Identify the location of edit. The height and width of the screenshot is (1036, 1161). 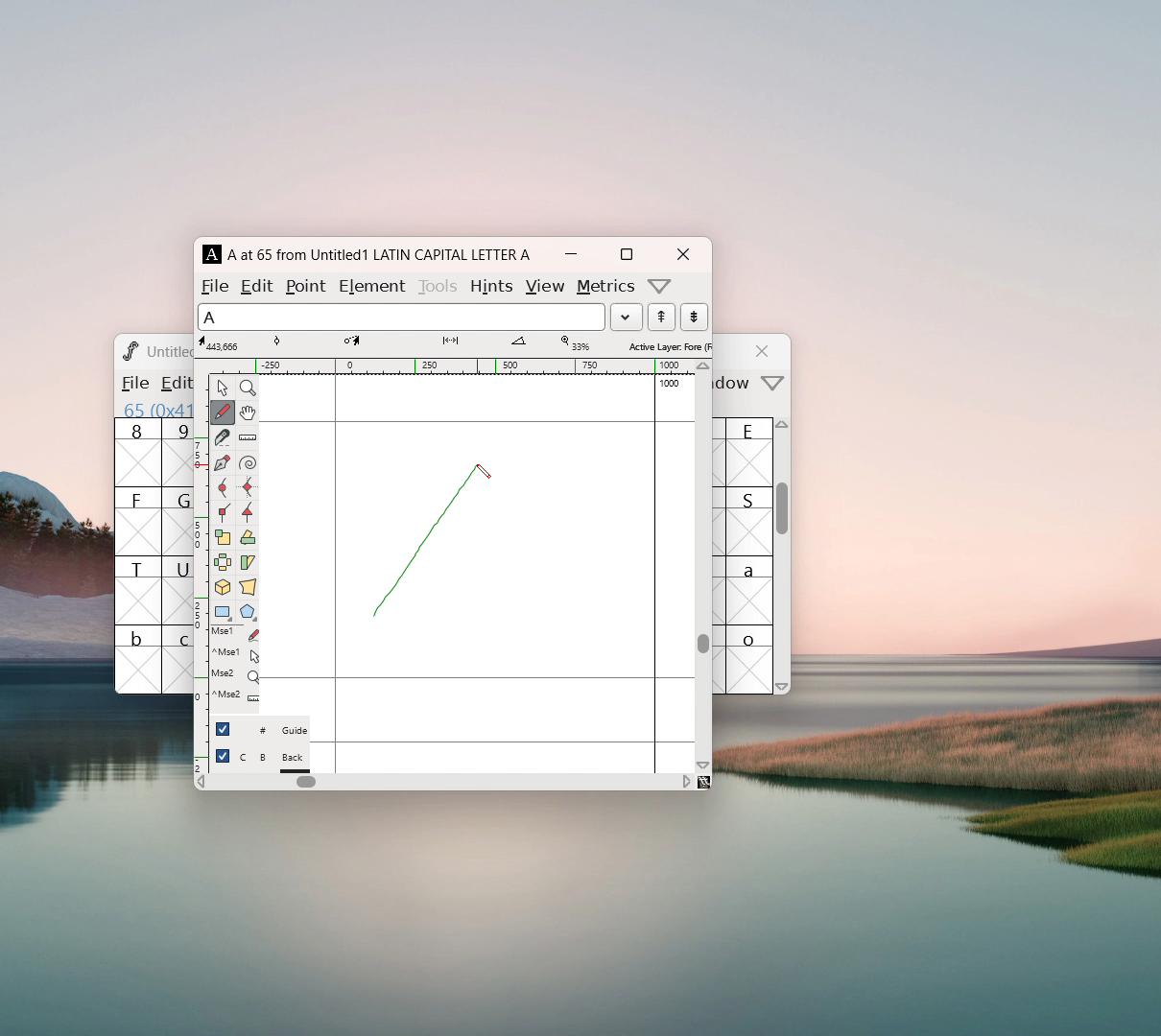
(258, 285).